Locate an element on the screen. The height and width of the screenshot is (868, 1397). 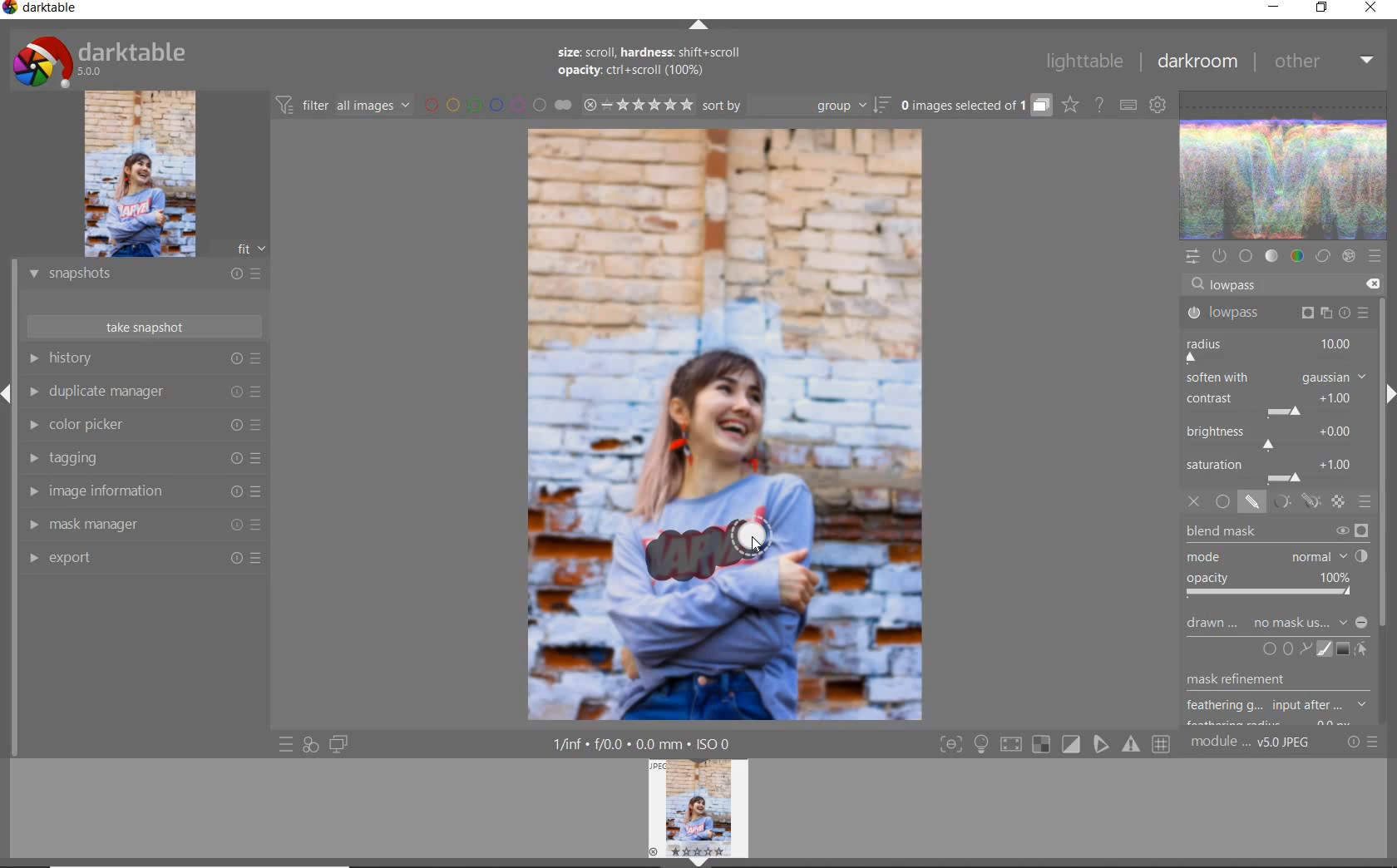
quick access to presets is located at coordinates (288, 743).